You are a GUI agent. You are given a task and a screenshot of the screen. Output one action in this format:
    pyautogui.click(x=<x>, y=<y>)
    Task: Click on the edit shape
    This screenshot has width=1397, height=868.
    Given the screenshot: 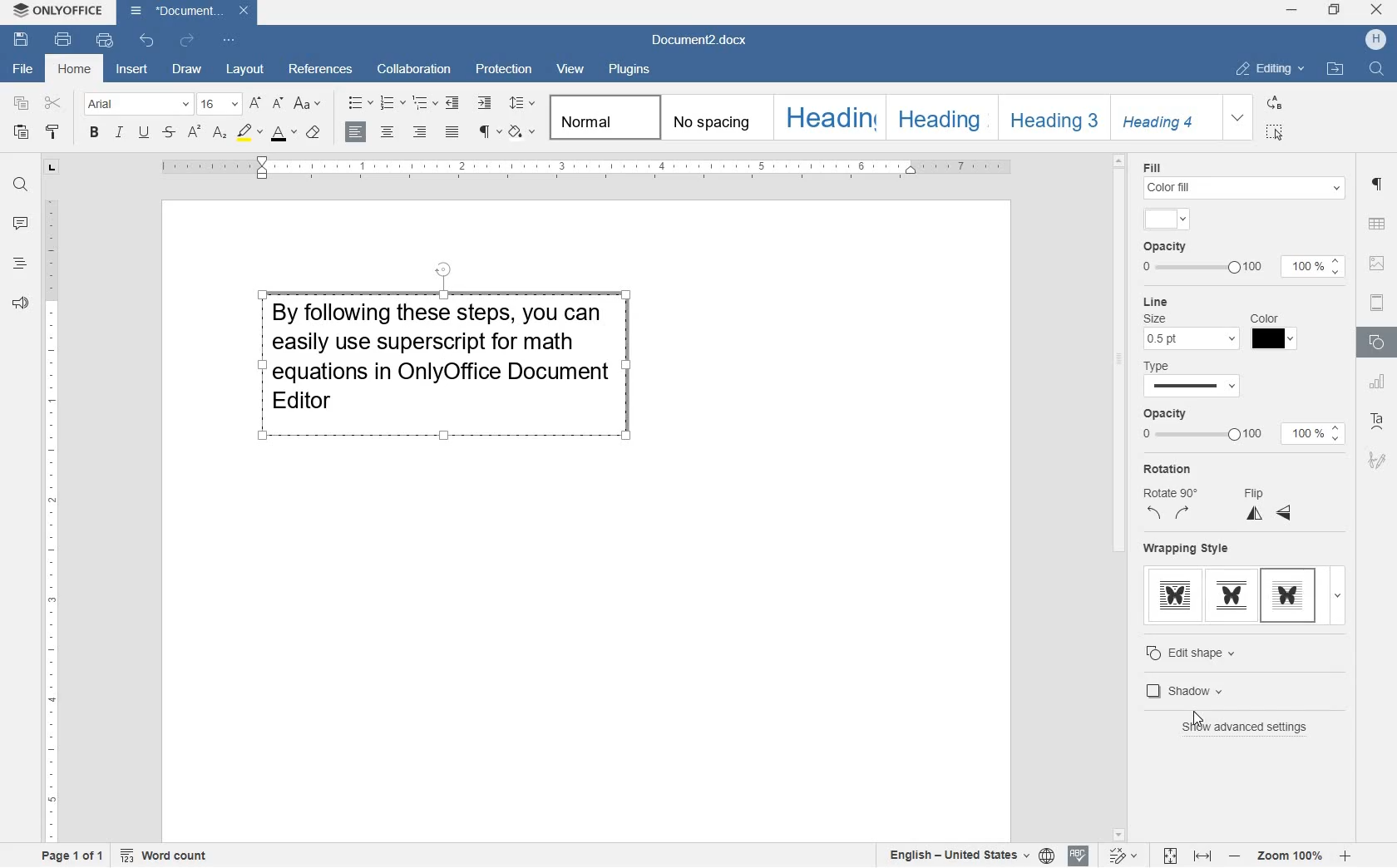 What is the action you would take?
    pyautogui.click(x=1205, y=651)
    